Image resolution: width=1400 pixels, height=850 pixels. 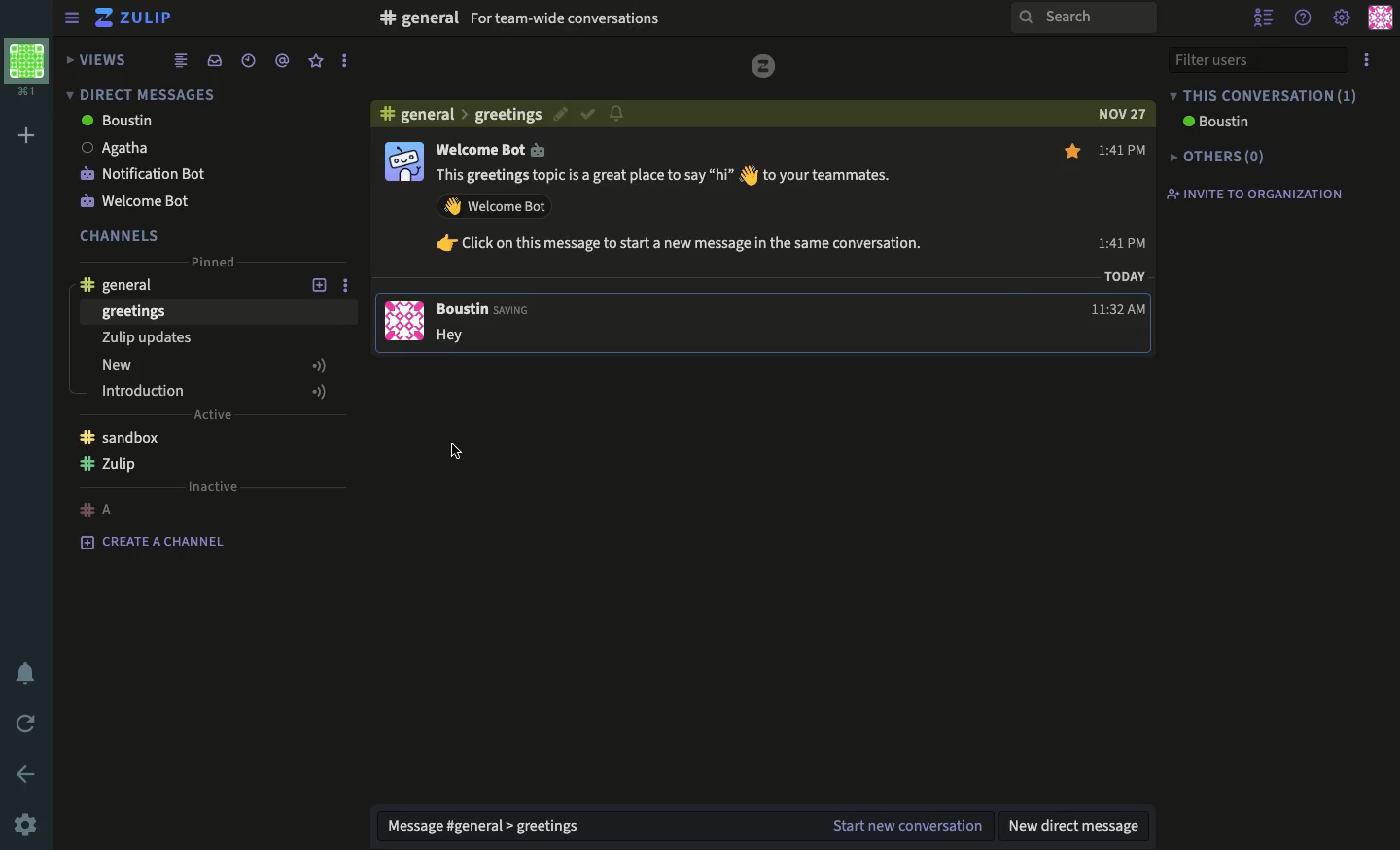 I want to click on settings, so click(x=25, y=826).